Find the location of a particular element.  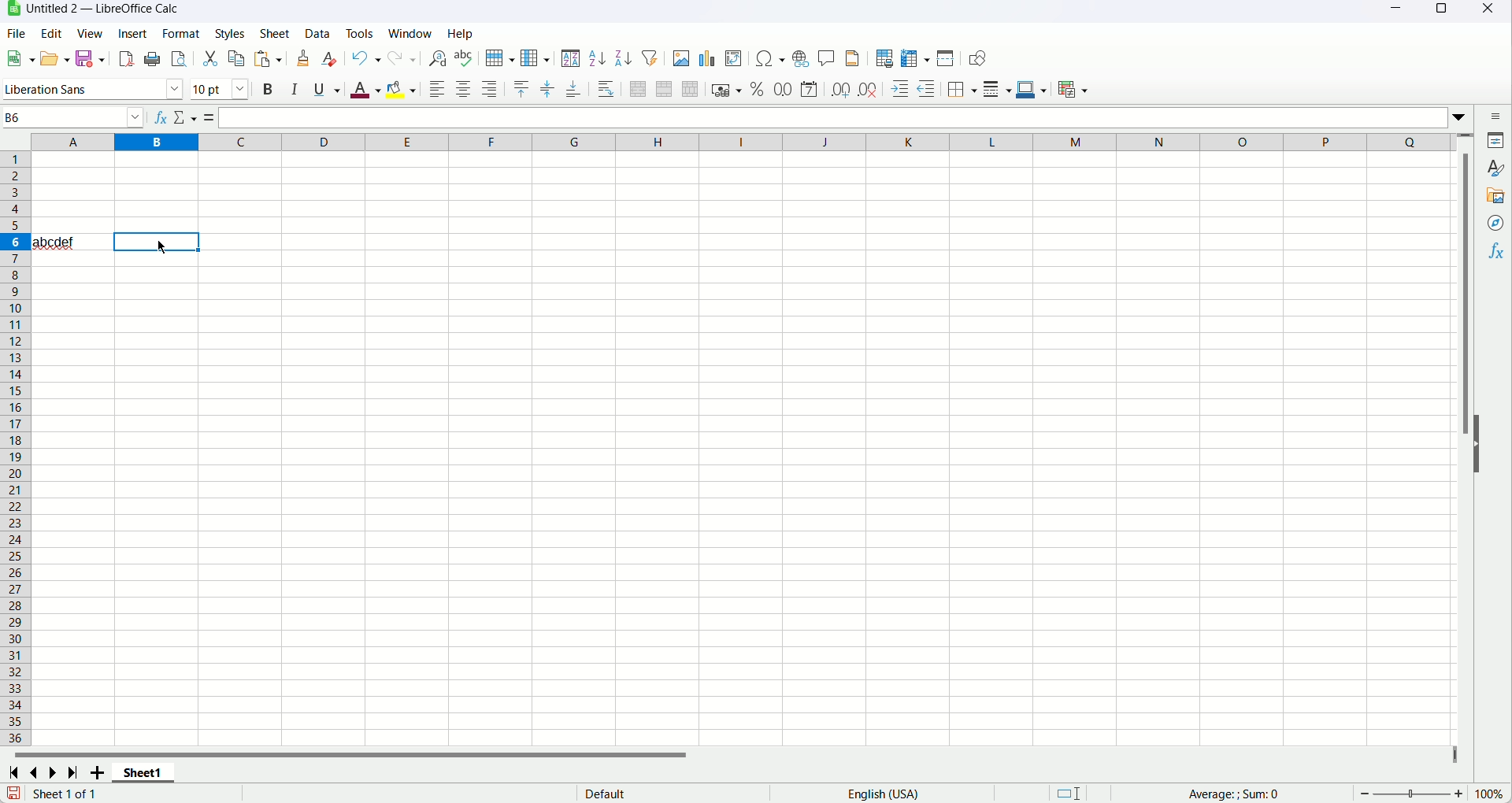

draw function is located at coordinates (976, 58).